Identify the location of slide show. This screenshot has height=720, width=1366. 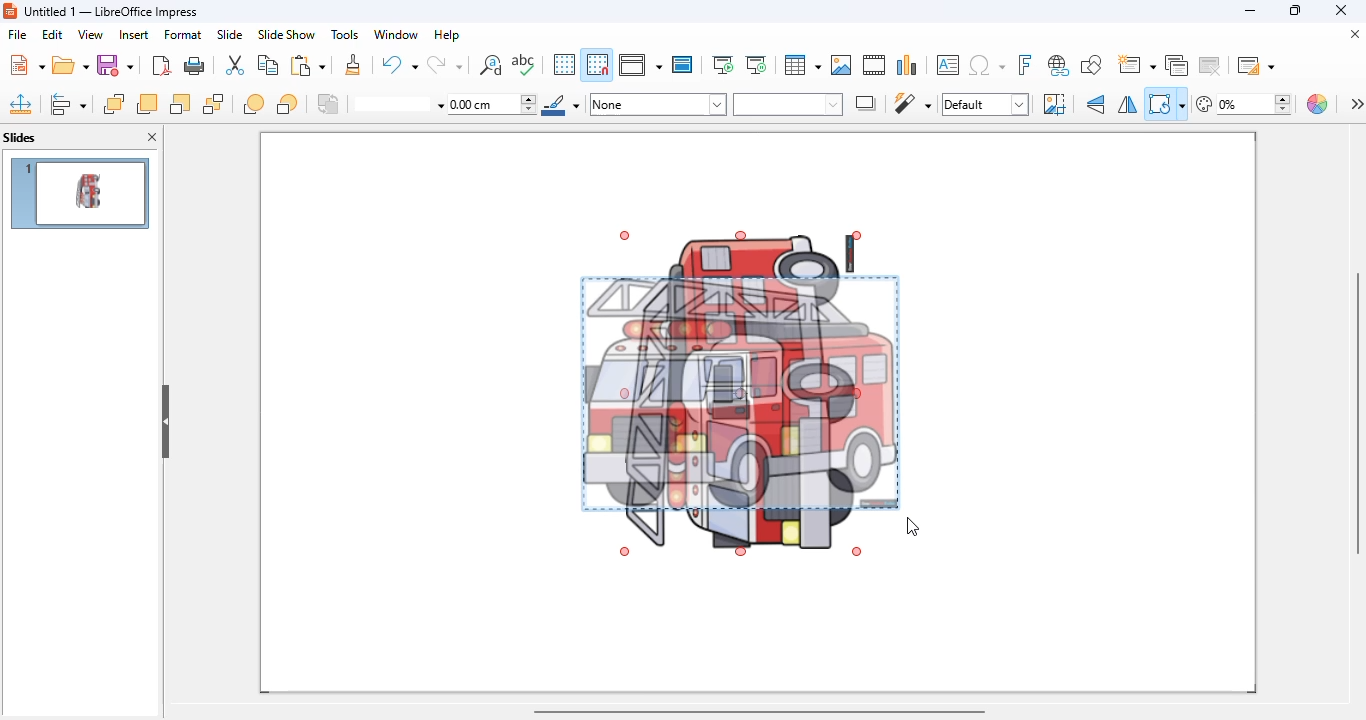
(286, 34).